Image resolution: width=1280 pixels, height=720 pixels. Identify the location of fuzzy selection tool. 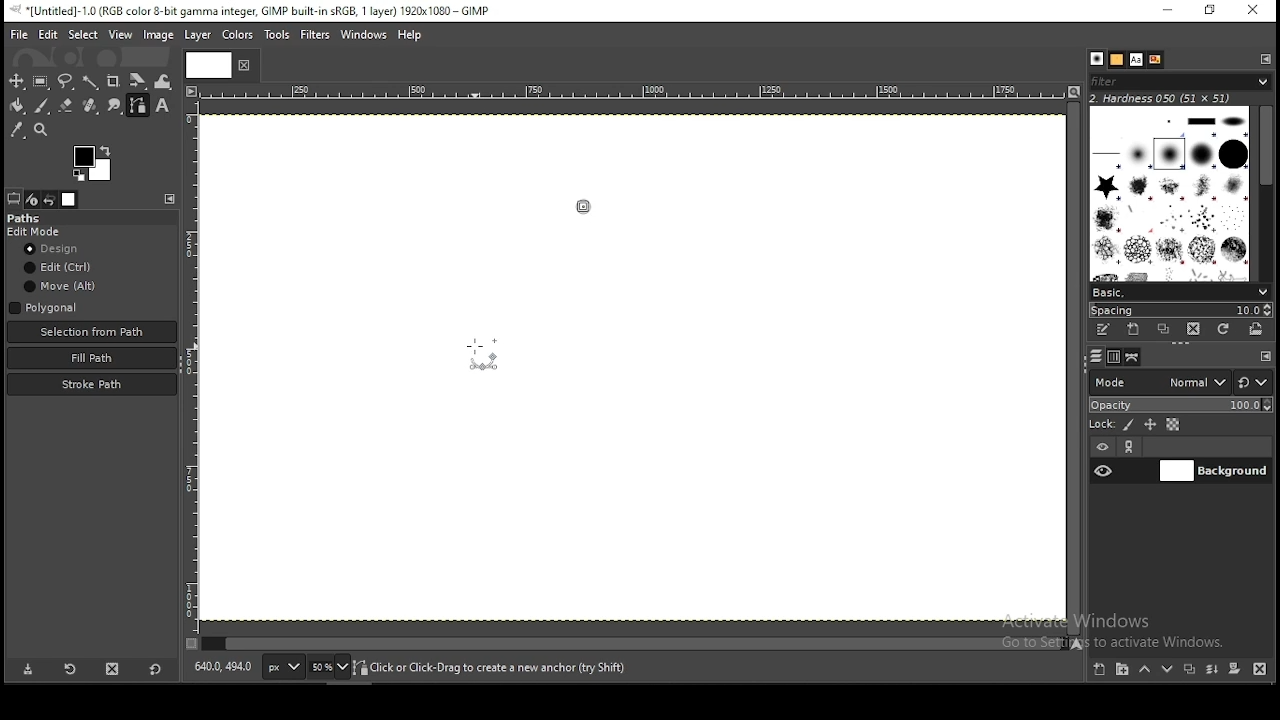
(90, 81).